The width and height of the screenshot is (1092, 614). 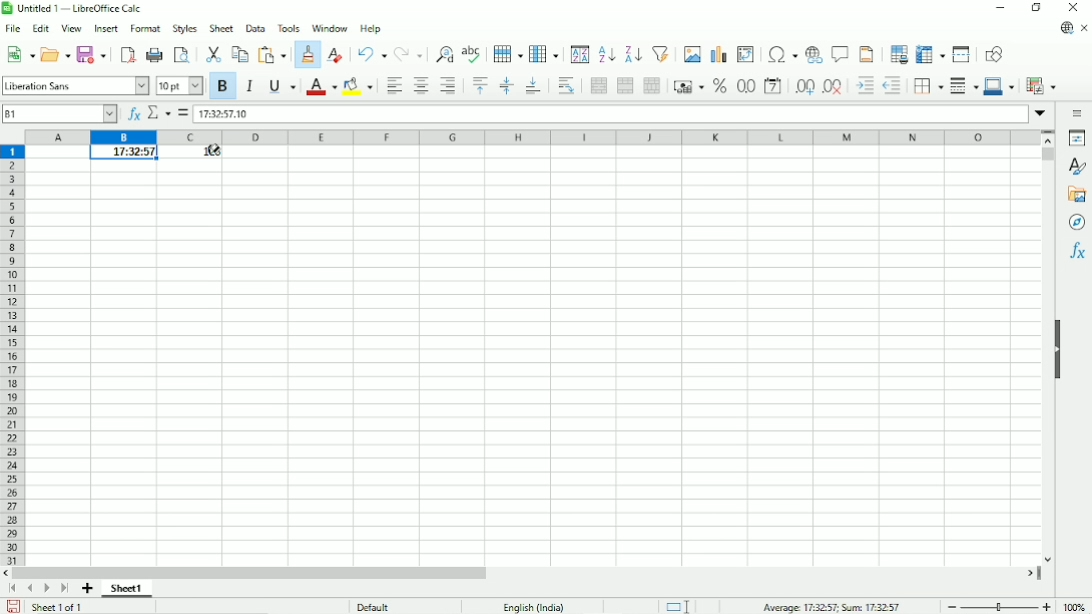 I want to click on Update available, so click(x=1065, y=29).